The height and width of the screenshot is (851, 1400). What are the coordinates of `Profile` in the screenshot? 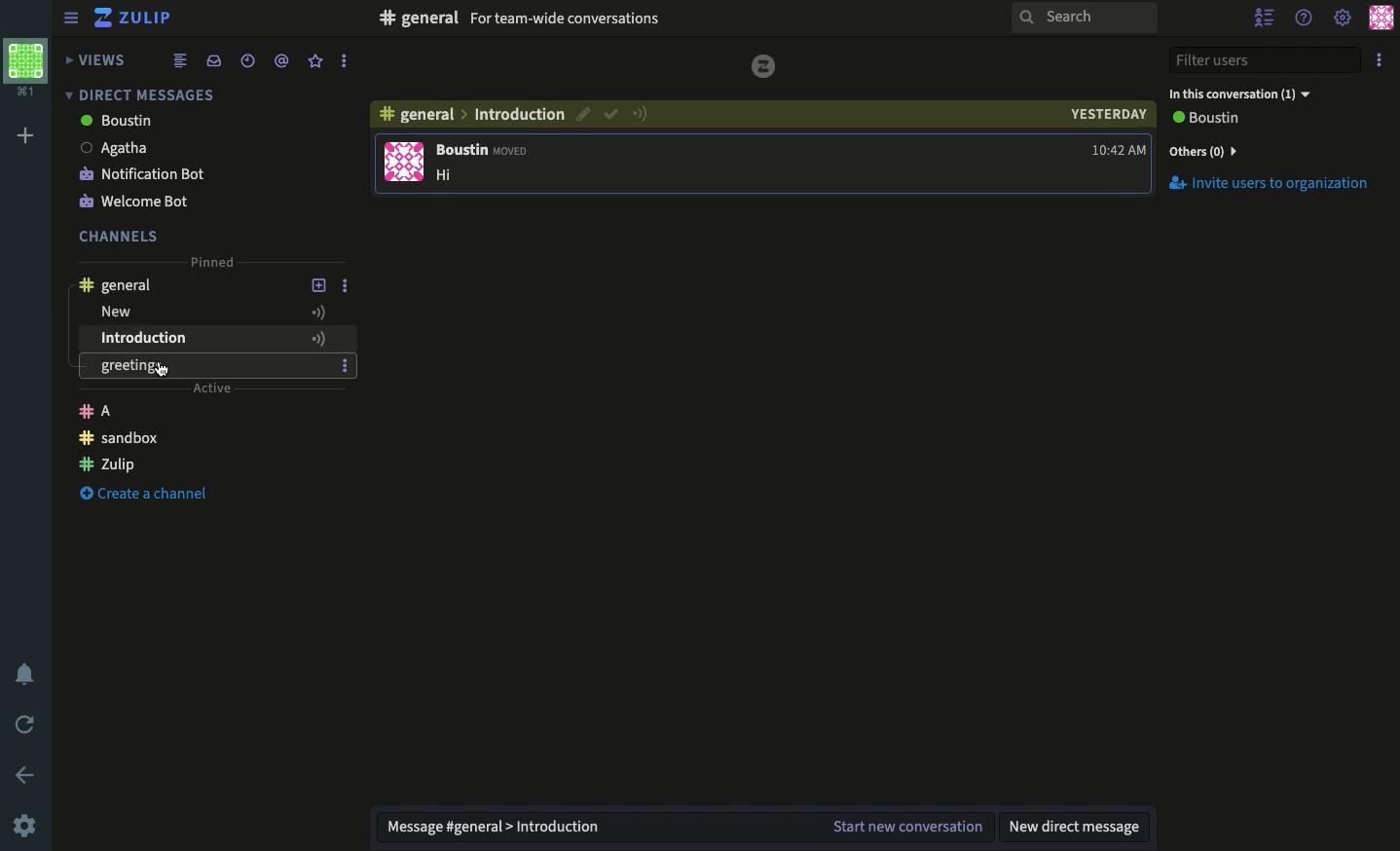 It's located at (1381, 18).